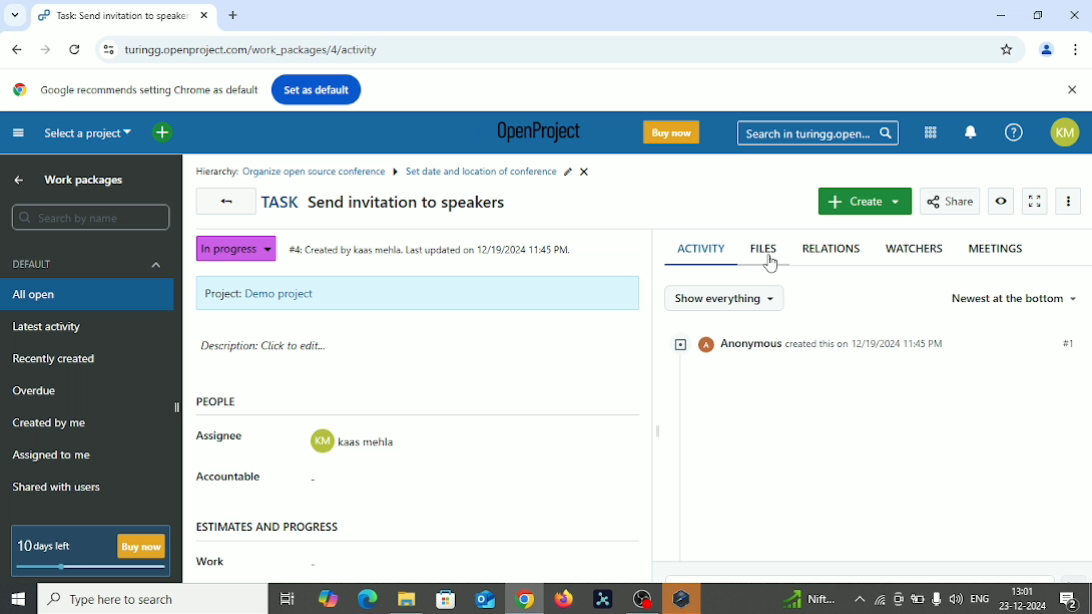 The width and height of the screenshot is (1092, 614). I want to click on Outlook, so click(483, 599).